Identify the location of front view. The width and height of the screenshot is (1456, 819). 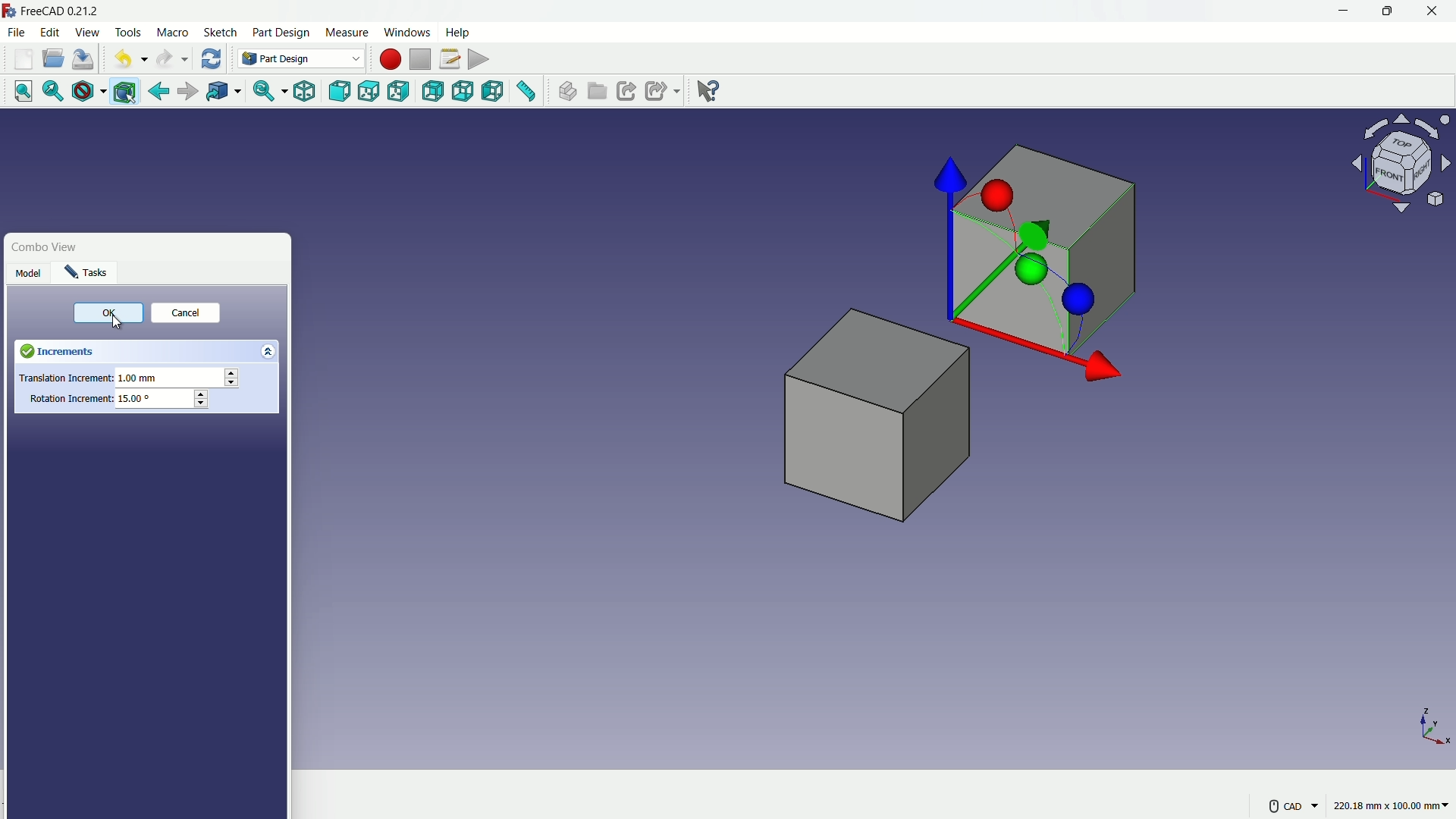
(341, 92).